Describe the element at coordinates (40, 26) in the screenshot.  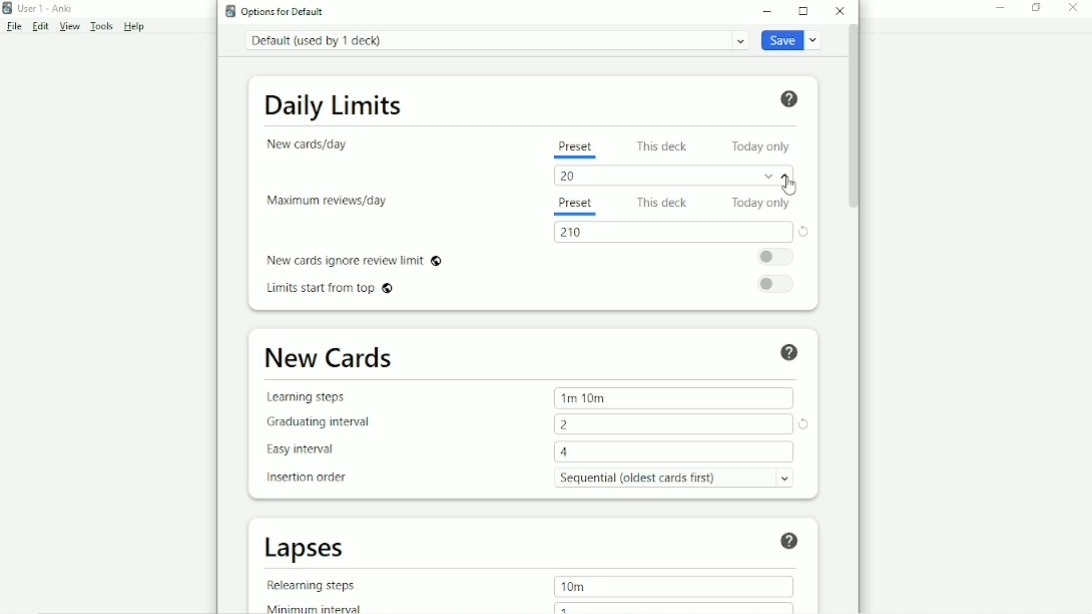
I see `Edit` at that location.